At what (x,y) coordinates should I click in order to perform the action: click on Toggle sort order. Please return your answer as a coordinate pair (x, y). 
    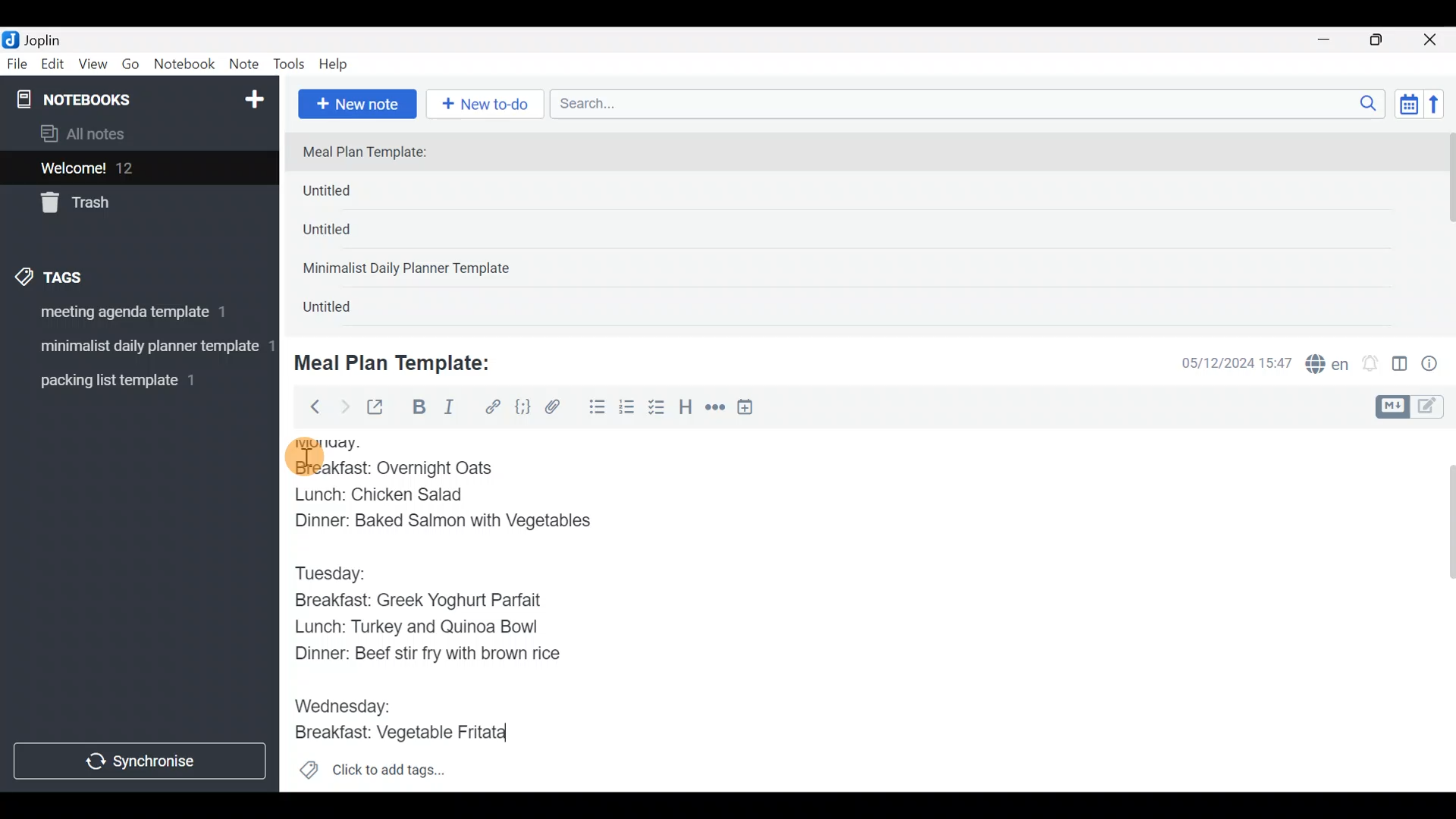
    Looking at the image, I should click on (1408, 105).